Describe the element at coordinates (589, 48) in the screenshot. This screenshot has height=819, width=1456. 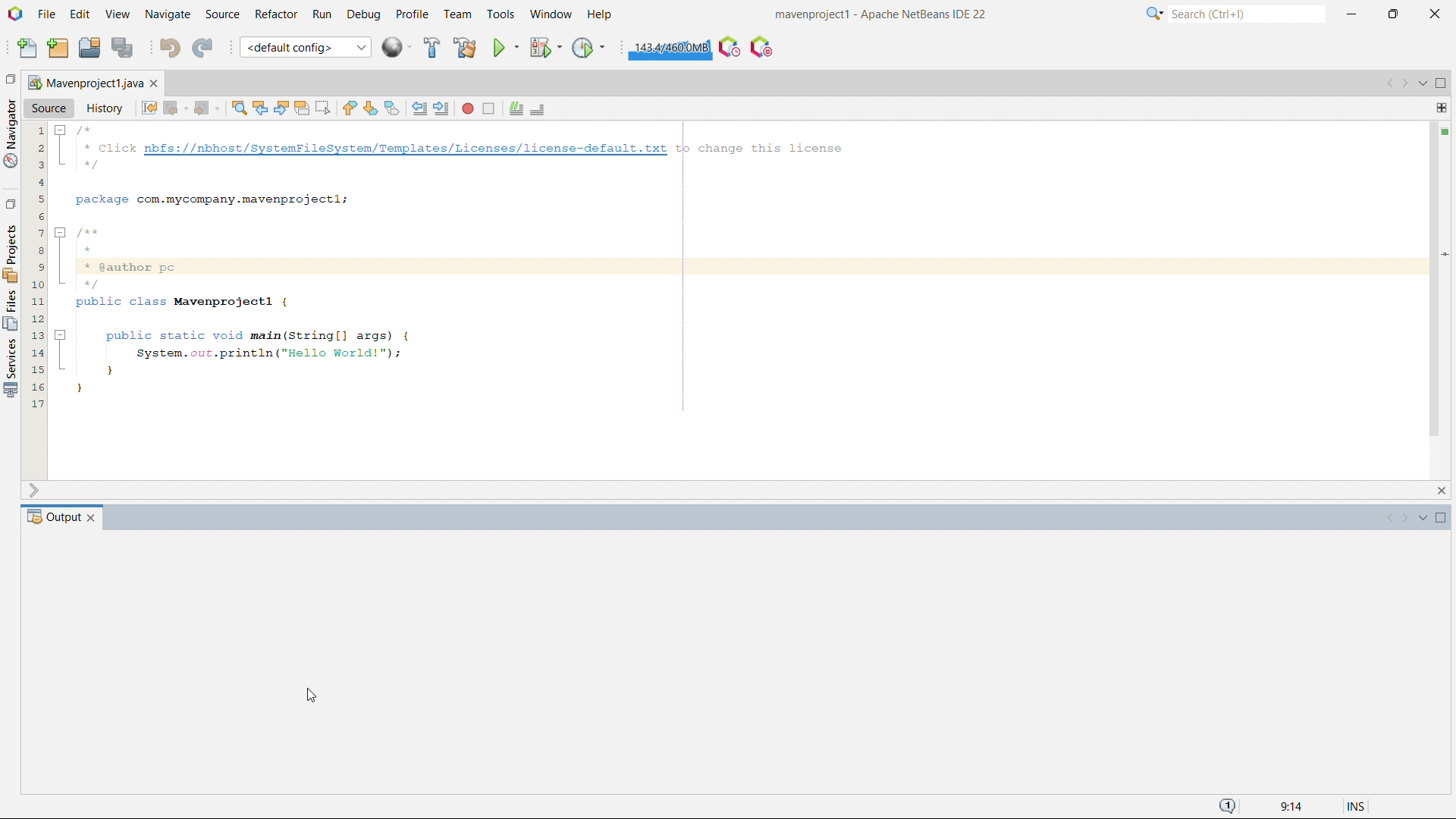
I see `profile project` at that location.